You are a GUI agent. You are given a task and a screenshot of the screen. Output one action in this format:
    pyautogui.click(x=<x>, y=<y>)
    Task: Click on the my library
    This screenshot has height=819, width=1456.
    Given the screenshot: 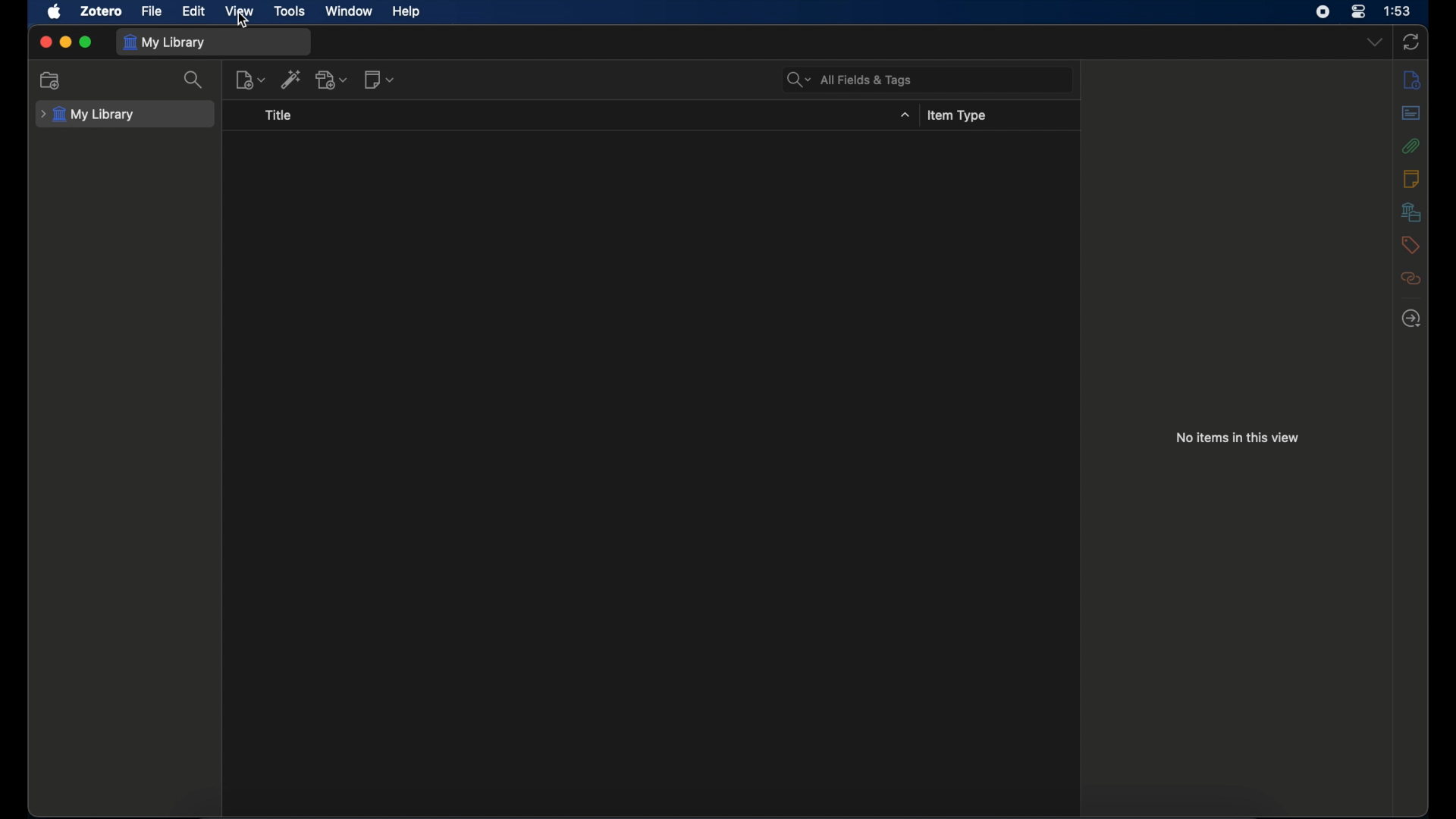 What is the action you would take?
    pyautogui.click(x=87, y=115)
    